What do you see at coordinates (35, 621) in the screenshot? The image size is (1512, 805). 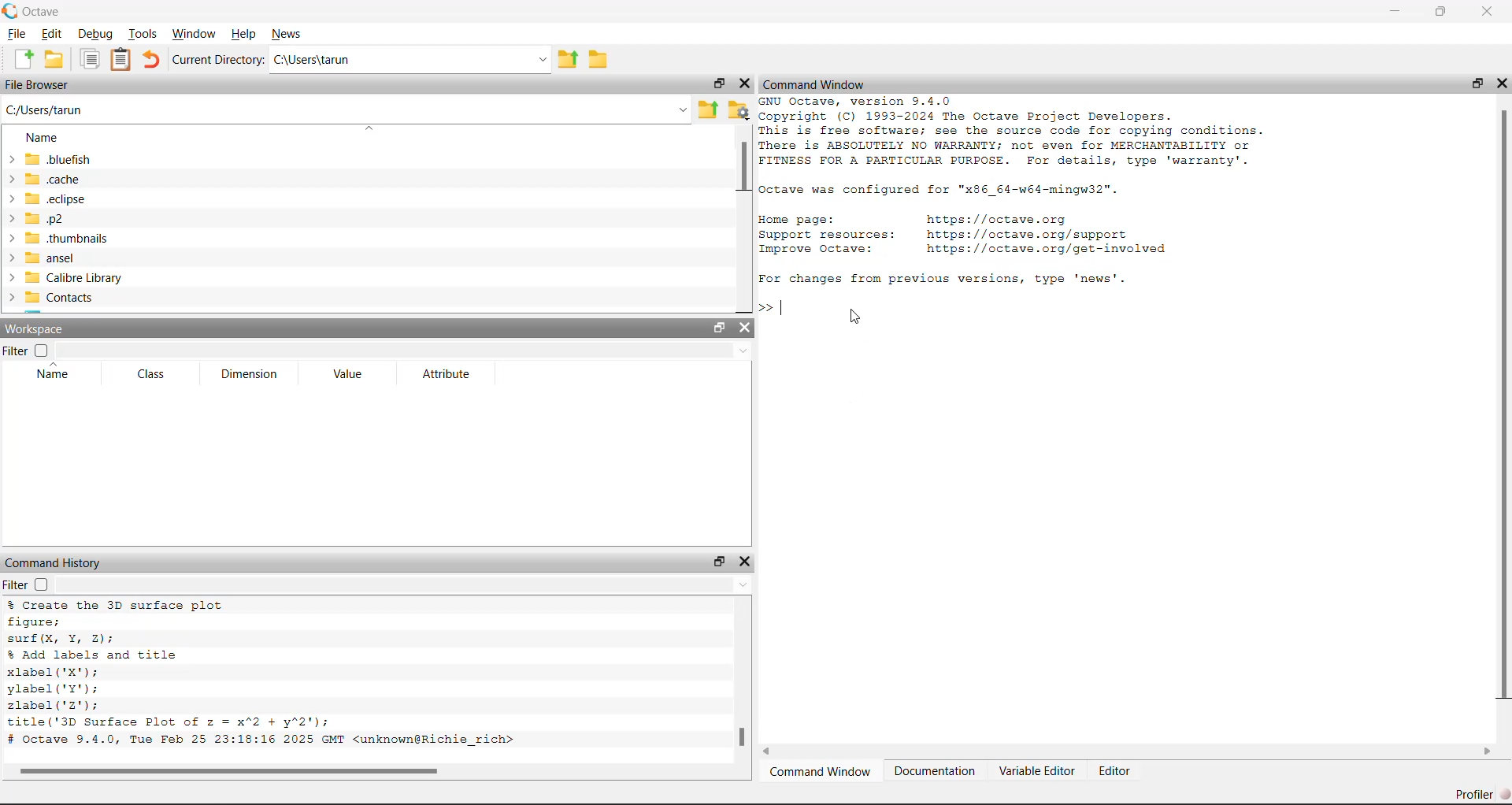 I see `figure;` at bounding box center [35, 621].